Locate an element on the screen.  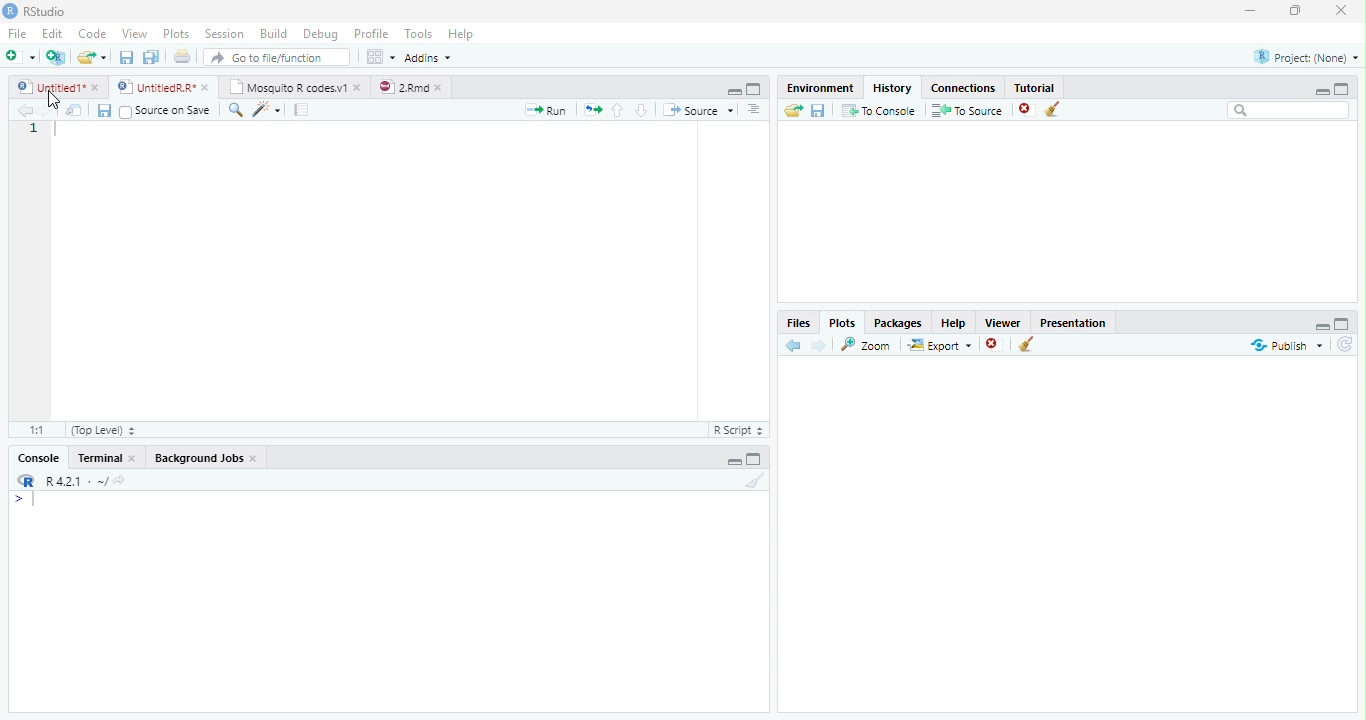
View is located at coordinates (135, 32).